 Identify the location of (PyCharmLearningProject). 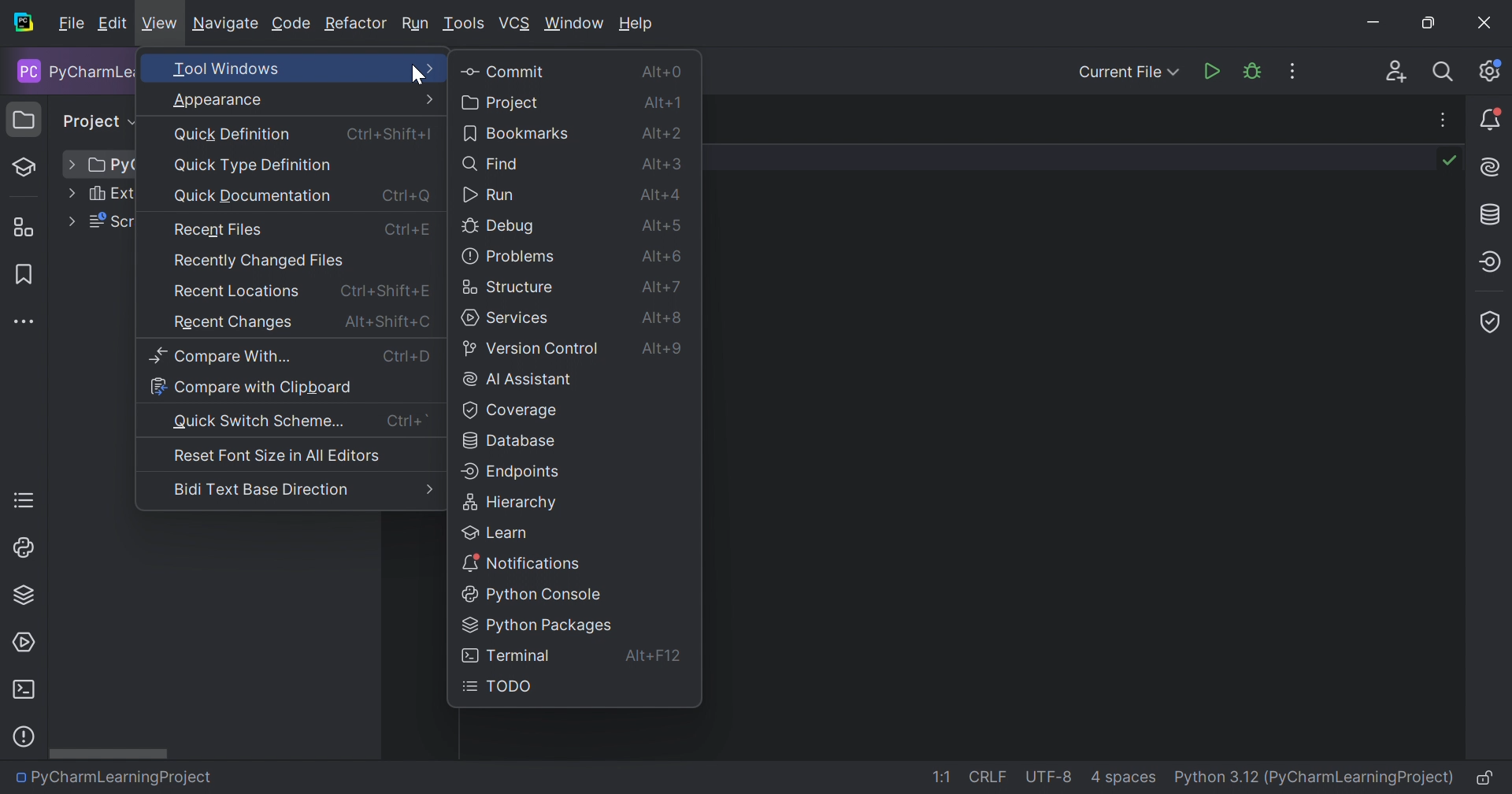
(1361, 777).